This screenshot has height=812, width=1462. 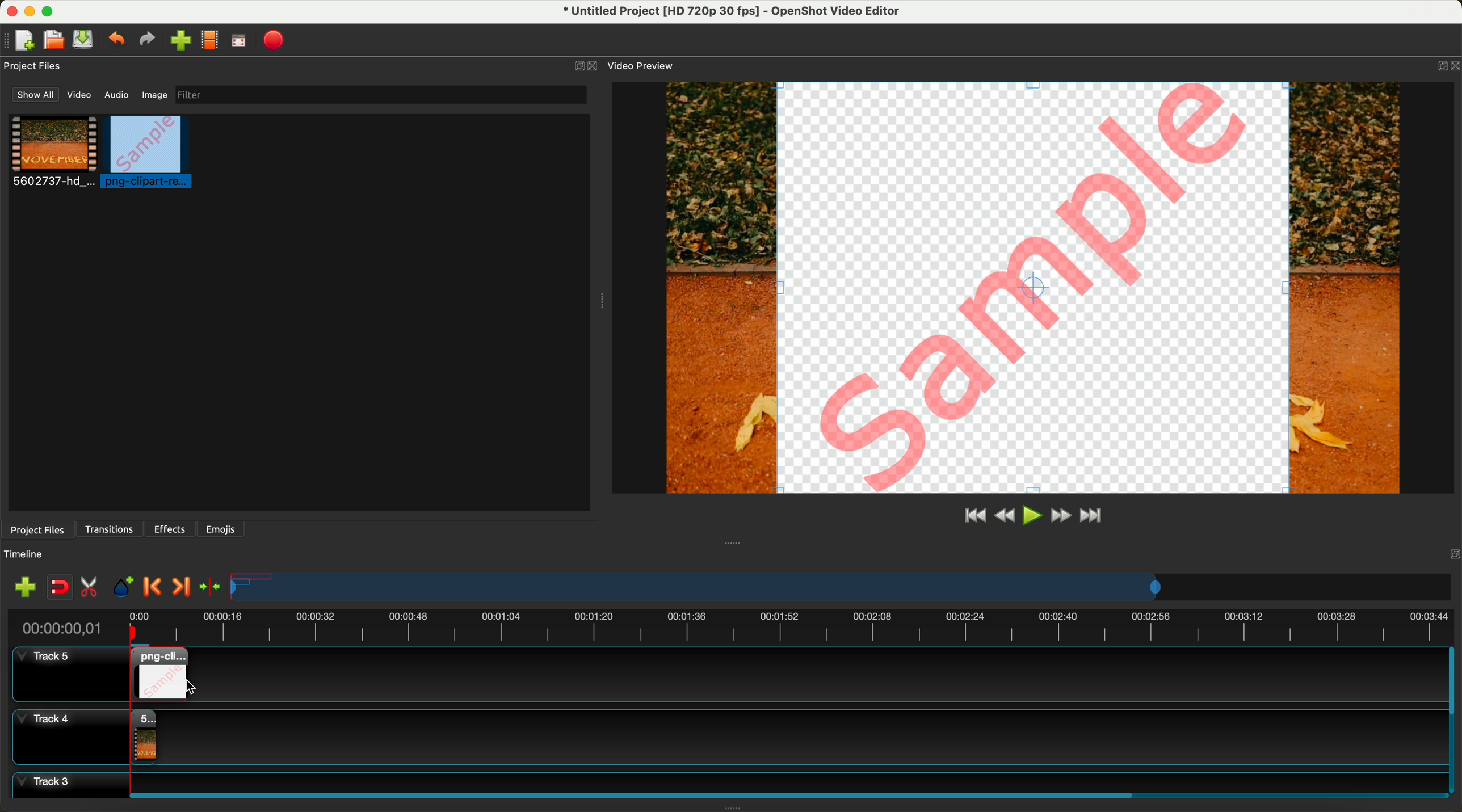 What do you see at coordinates (117, 94) in the screenshot?
I see `audio` at bounding box center [117, 94].